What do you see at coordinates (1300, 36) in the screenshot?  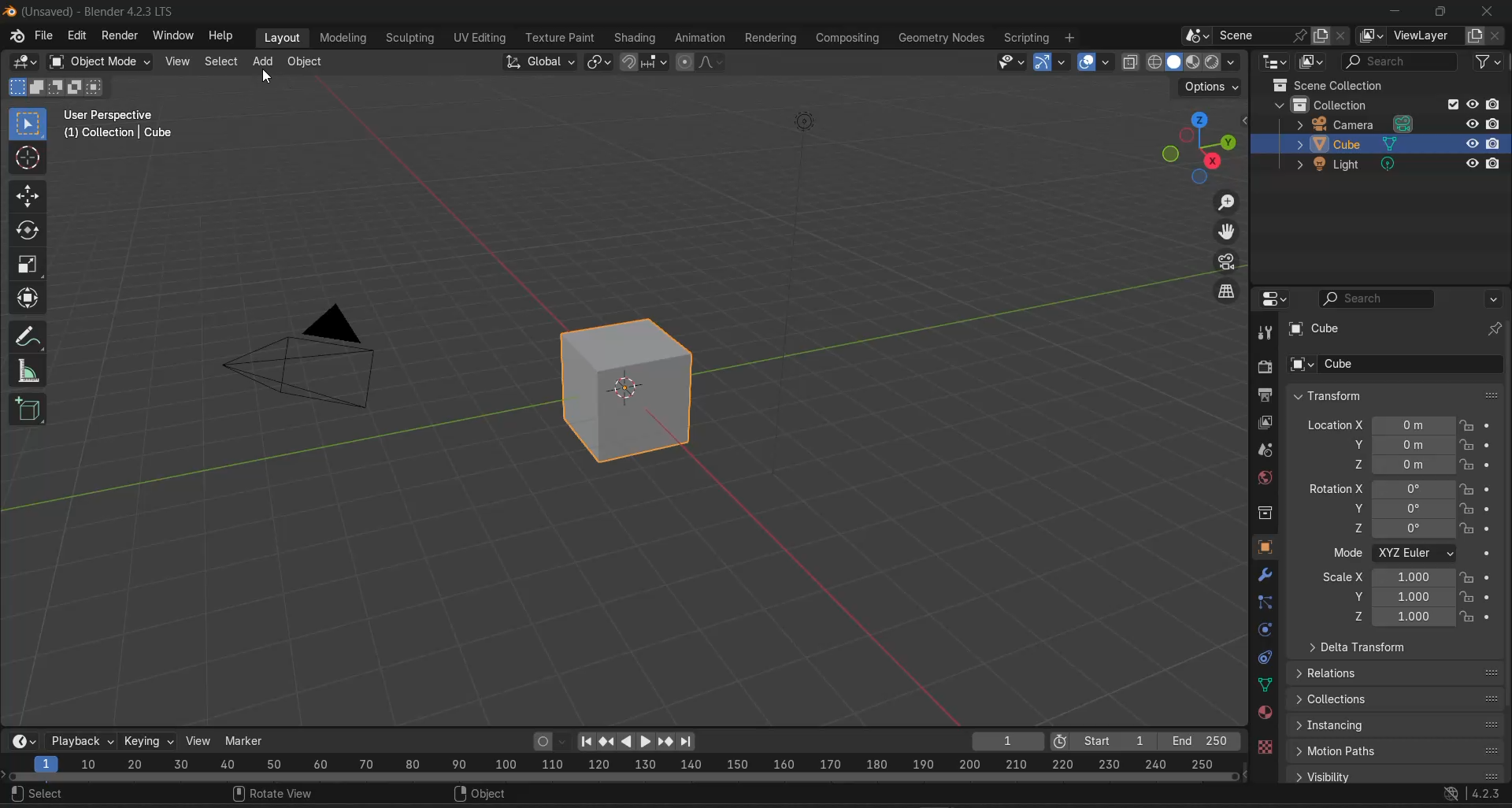 I see `pin scene to workspace` at bounding box center [1300, 36].